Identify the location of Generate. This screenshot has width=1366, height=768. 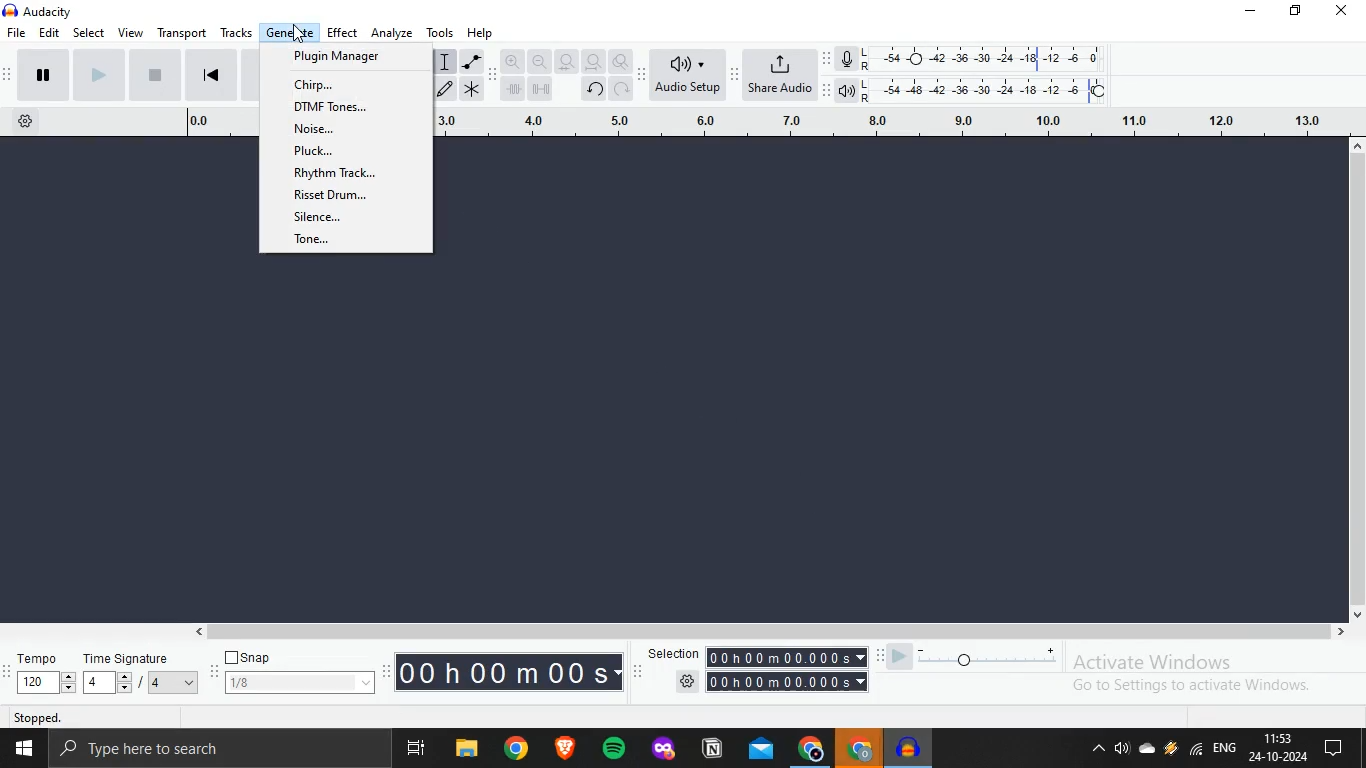
(293, 31).